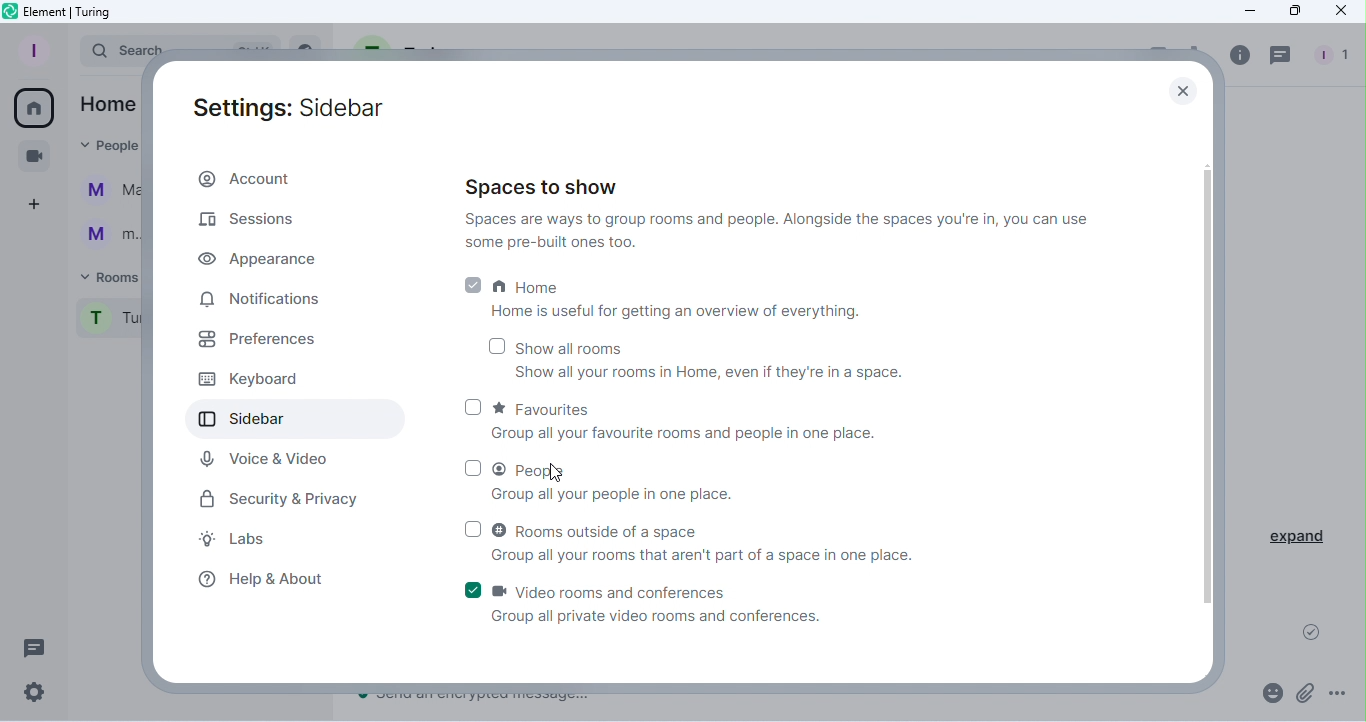  Describe the element at coordinates (1319, 629) in the screenshot. I see `Message sent` at that location.